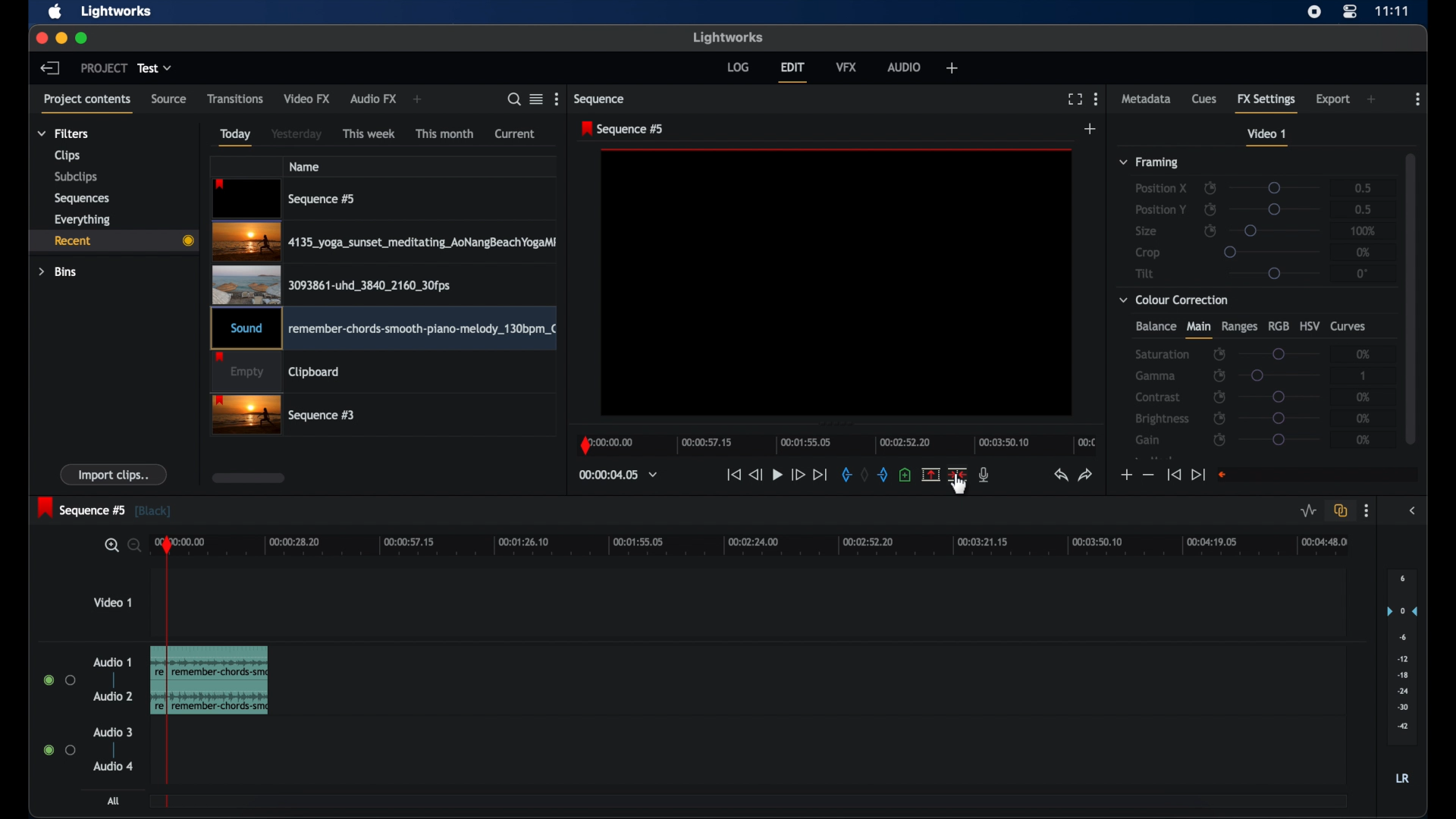 The width and height of the screenshot is (1456, 819). I want to click on project contents, so click(88, 105).